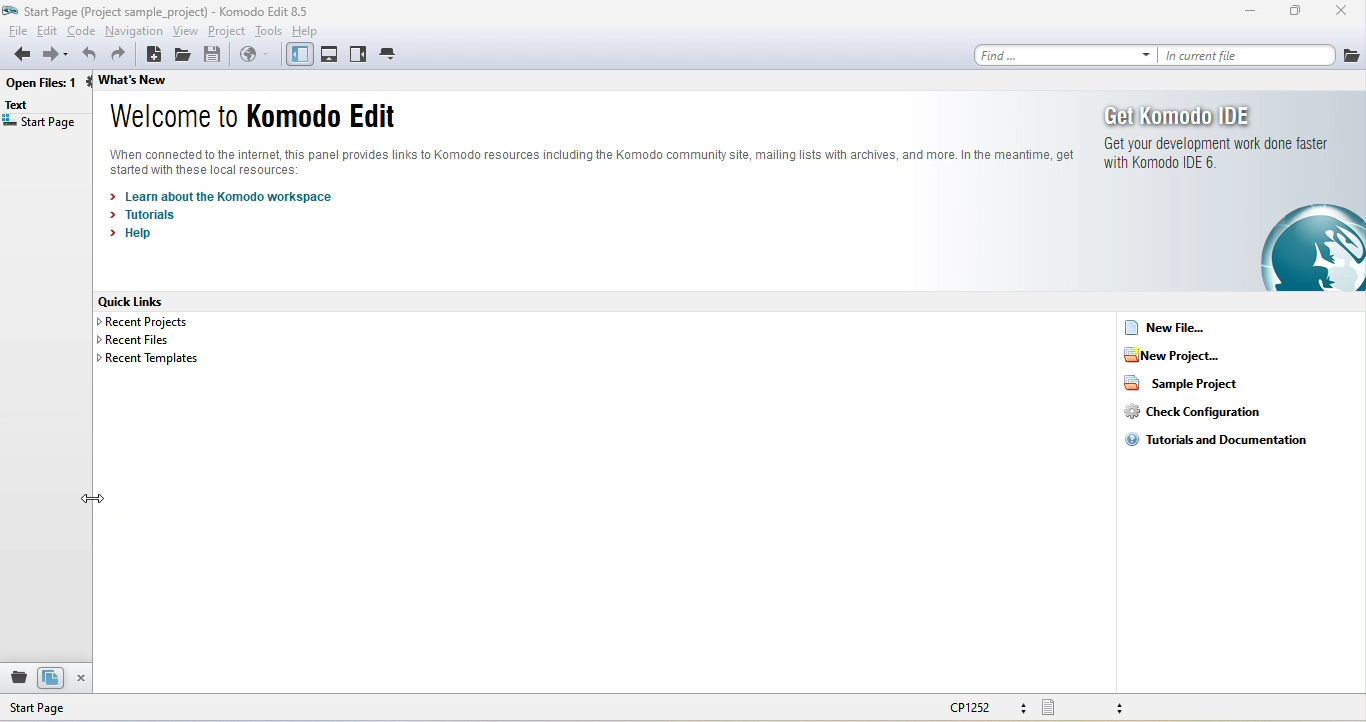 The height and width of the screenshot is (722, 1366). What do you see at coordinates (122, 55) in the screenshot?
I see `redo` at bounding box center [122, 55].